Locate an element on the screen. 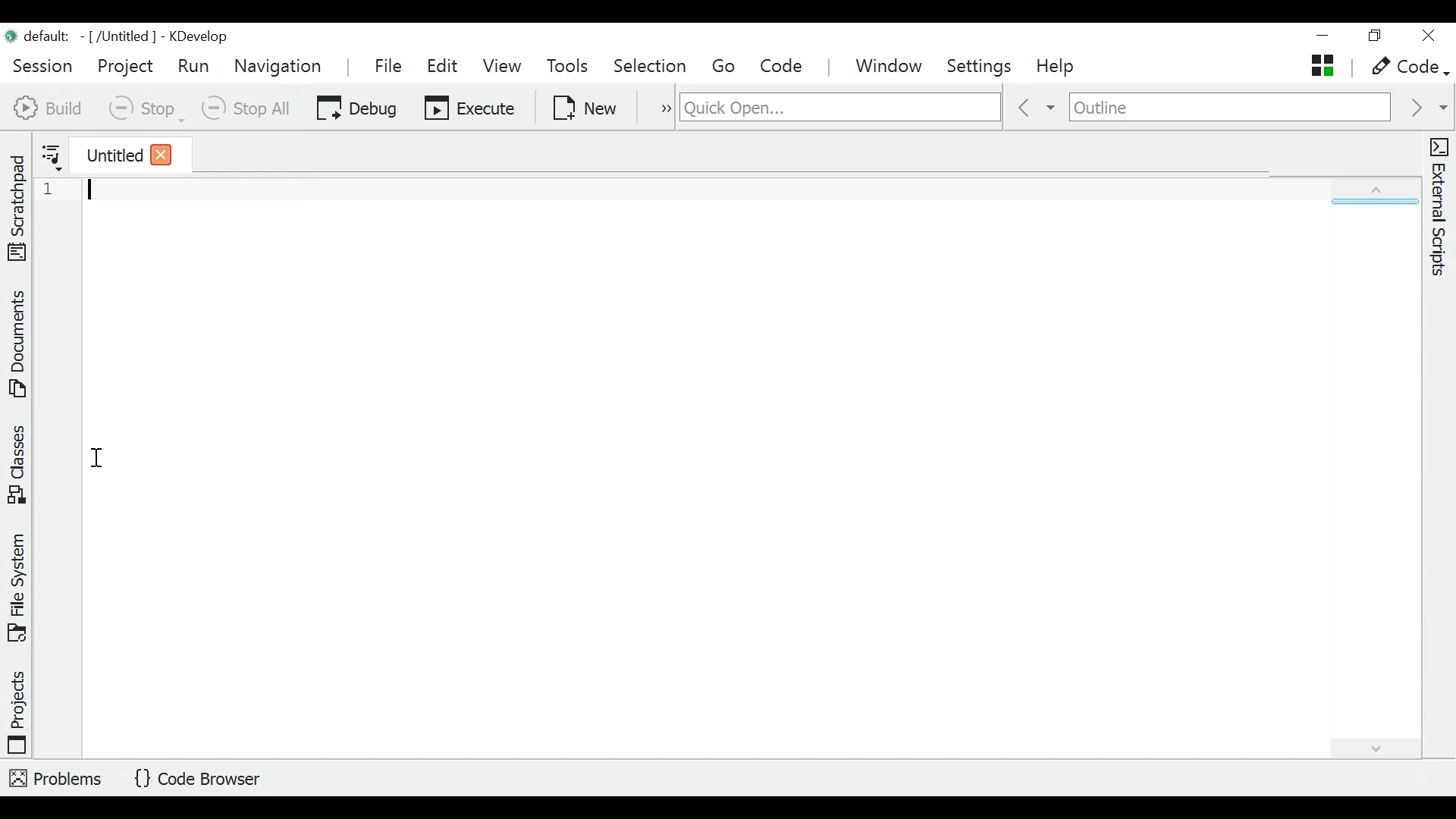 The width and height of the screenshot is (1456, 819). File System is located at coordinates (20, 598).